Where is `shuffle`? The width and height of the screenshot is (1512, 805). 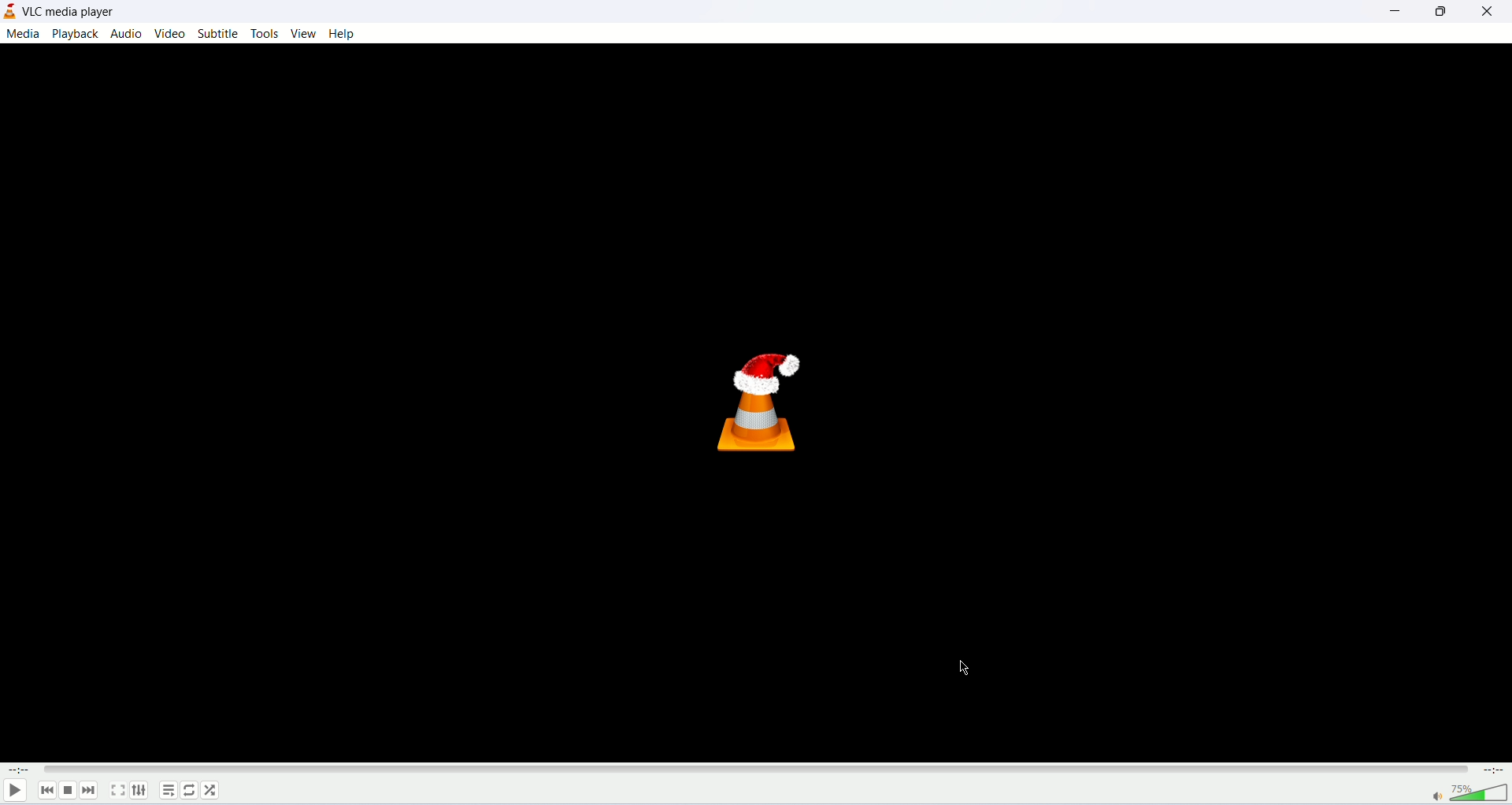
shuffle is located at coordinates (212, 788).